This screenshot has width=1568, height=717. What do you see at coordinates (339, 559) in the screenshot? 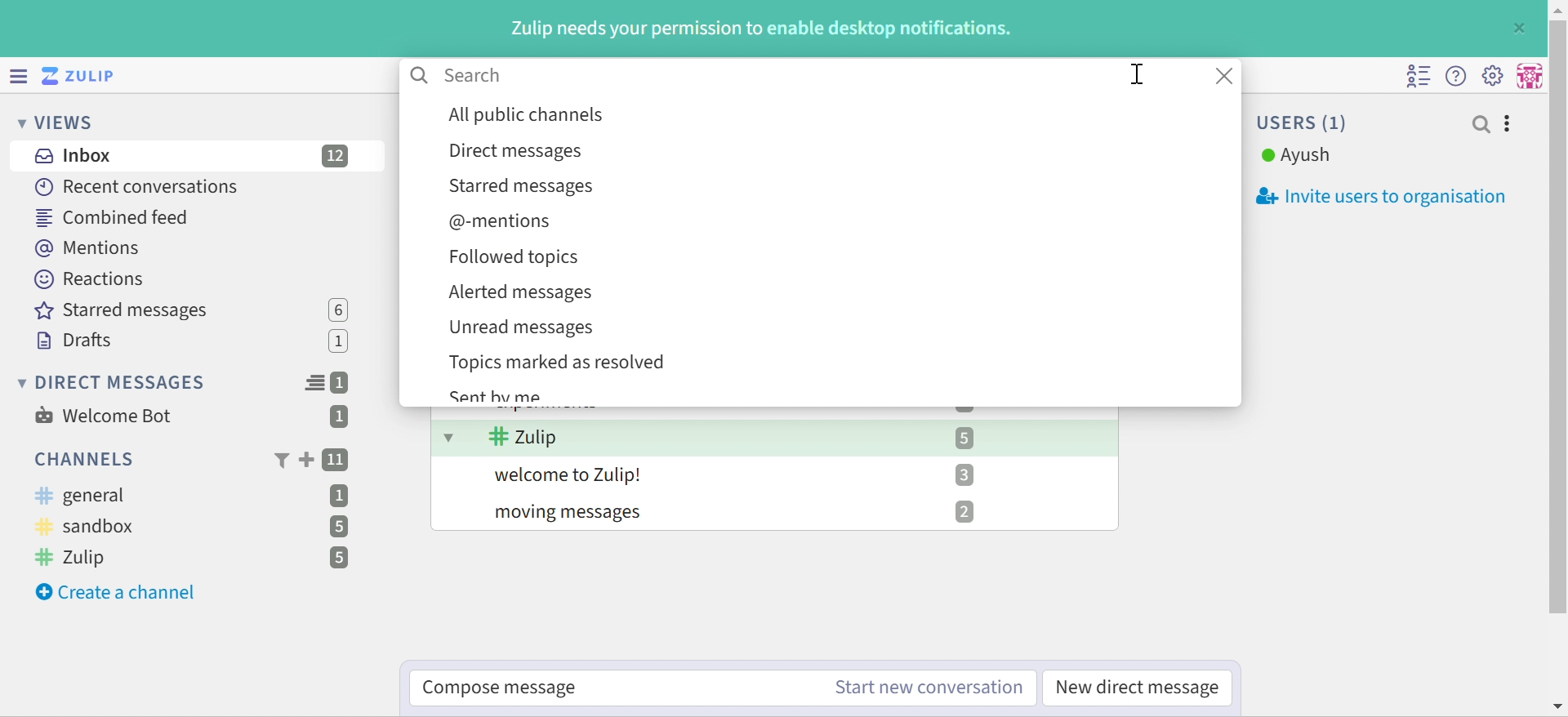
I see `5` at bounding box center [339, 559].